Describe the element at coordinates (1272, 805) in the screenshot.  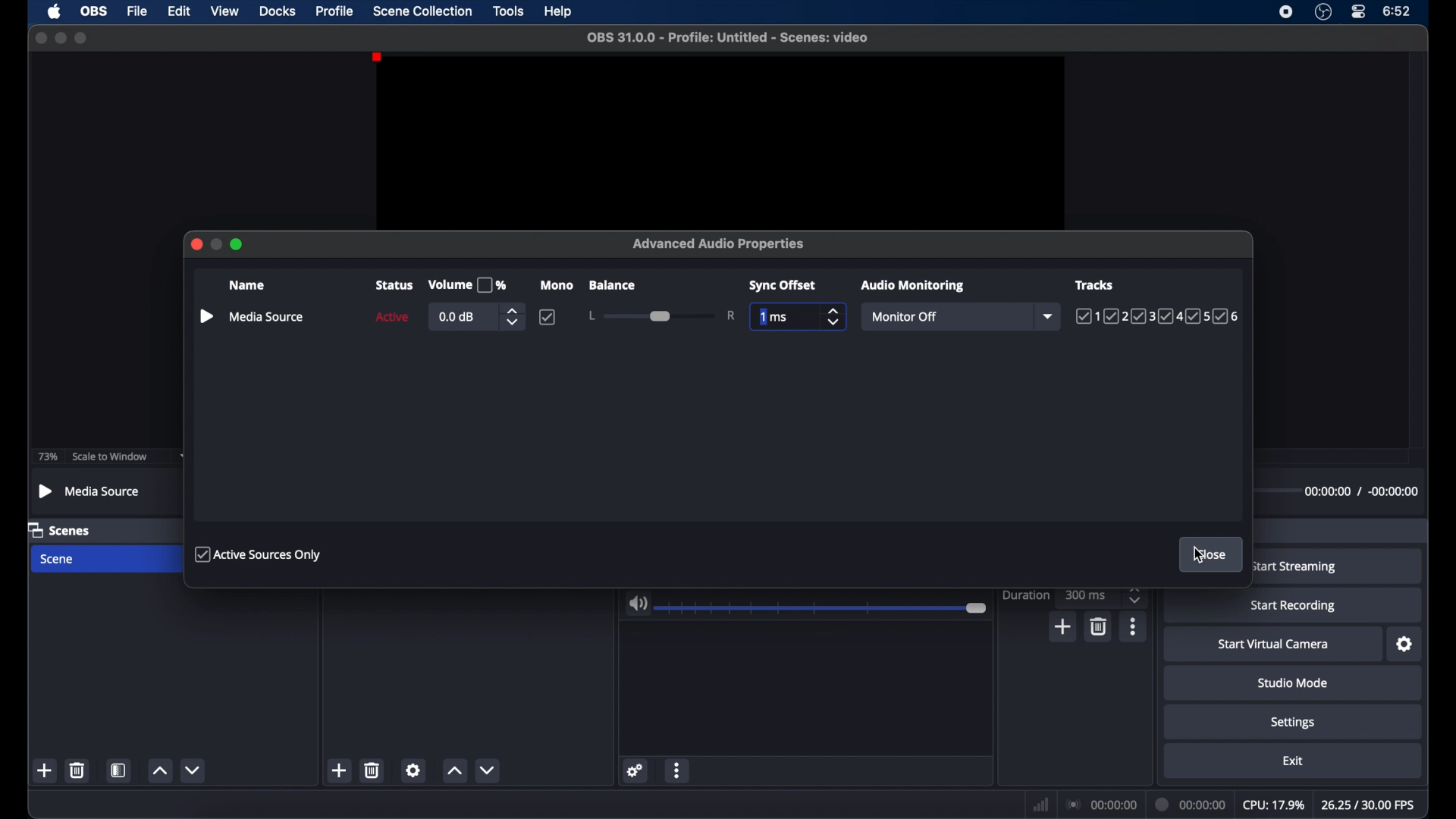
I see `cpu` at that location.